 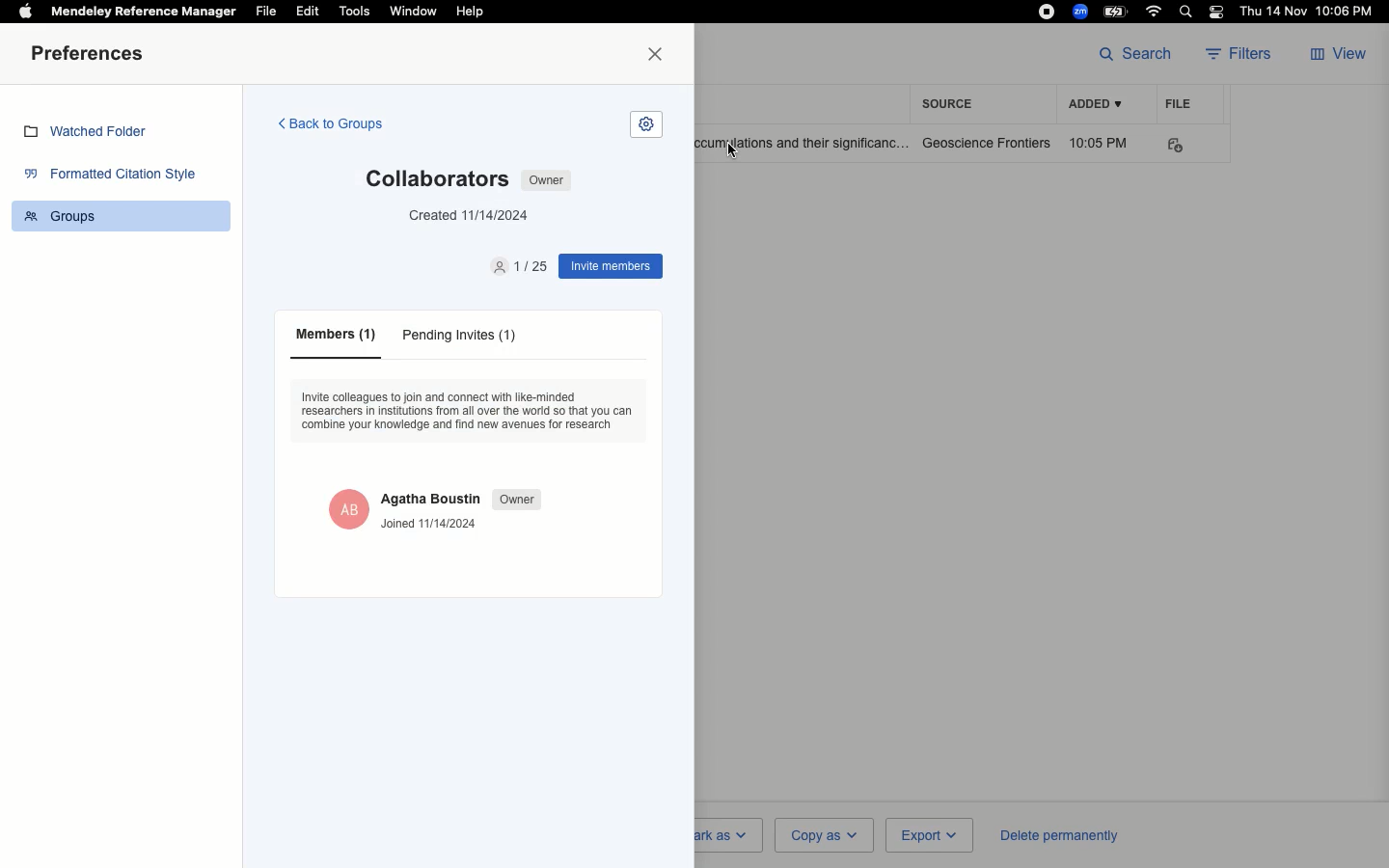 What do you see at coordinates (647, 124) in the screenshot?
I see `settings` at bounding box center [647, 124].